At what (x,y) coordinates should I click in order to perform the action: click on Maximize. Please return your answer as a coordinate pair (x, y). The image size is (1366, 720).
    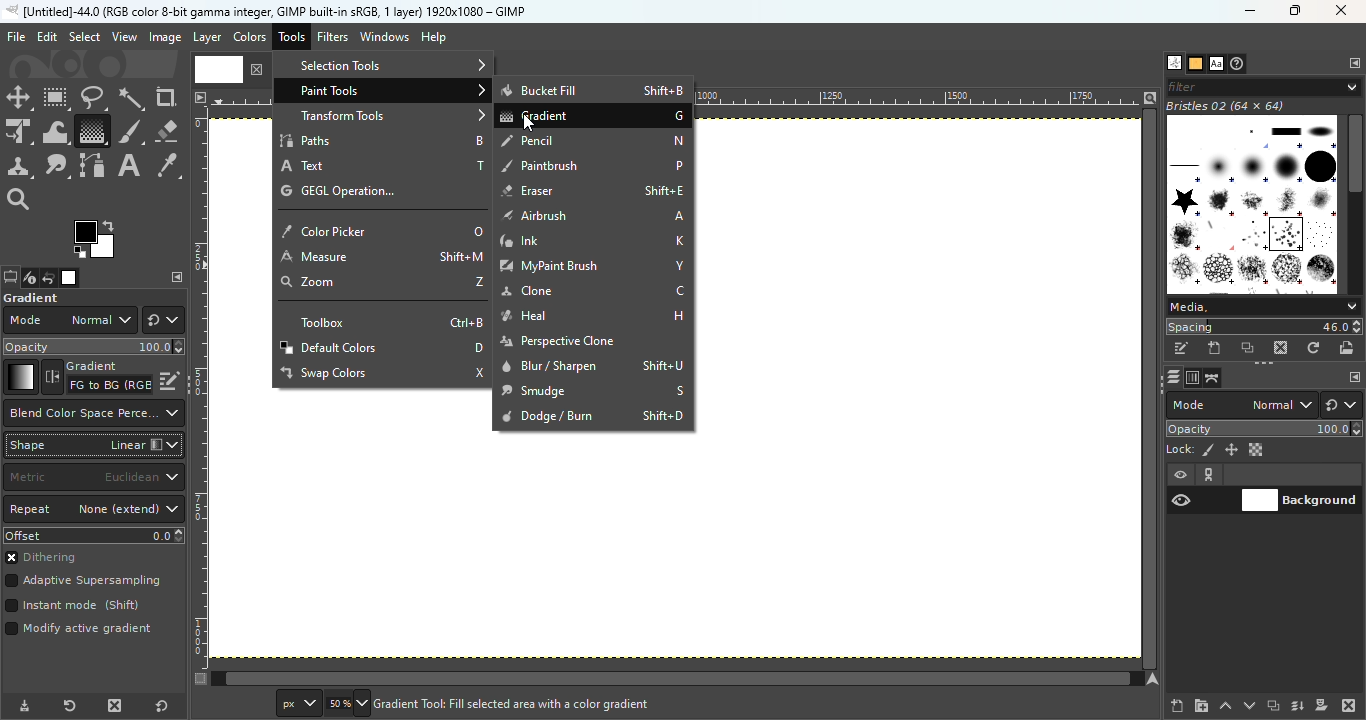
    Looking at the image, I should click on (1300, 11).